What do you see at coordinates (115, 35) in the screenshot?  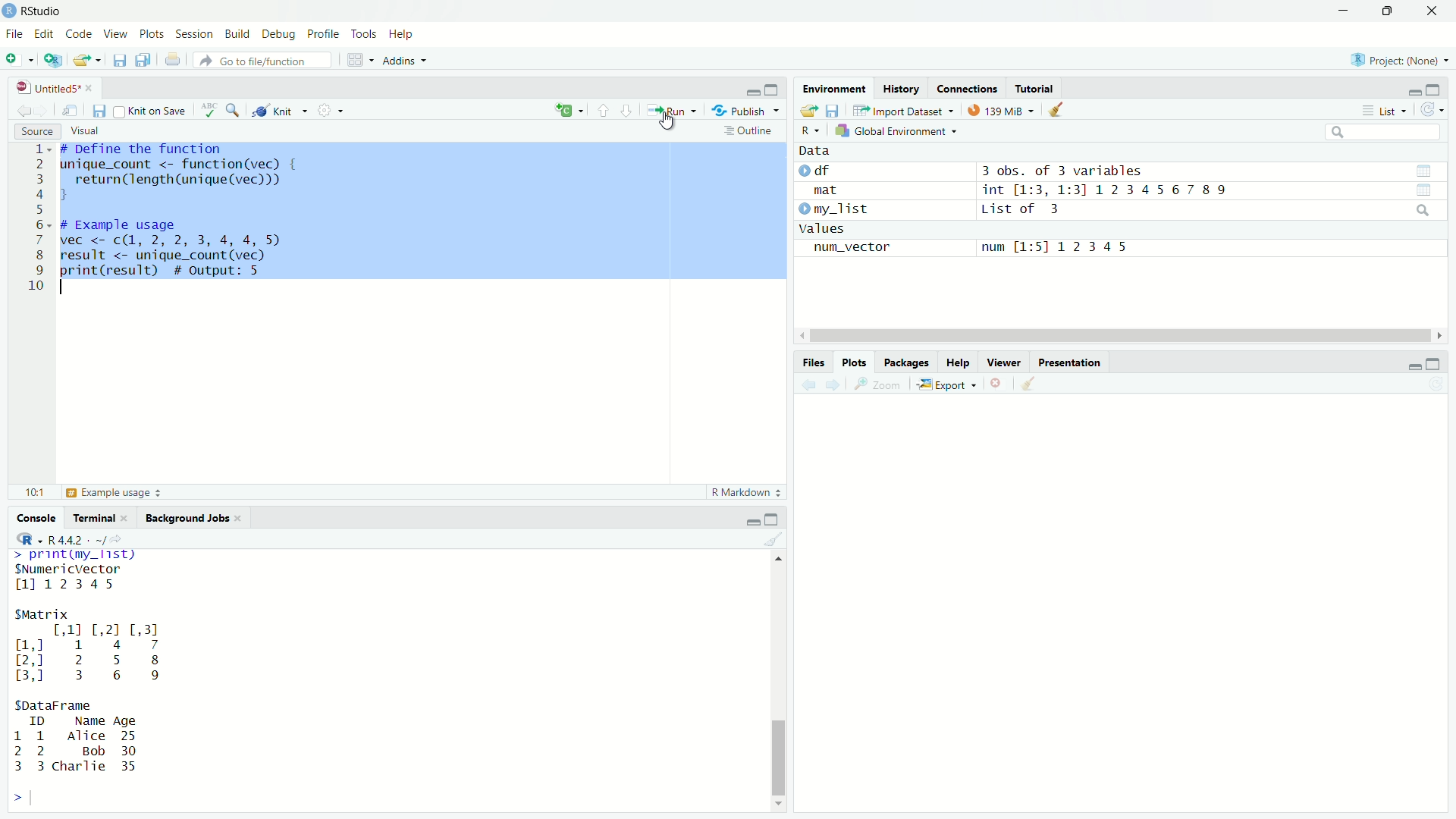 I see `View` at bounding box center [115, 35].